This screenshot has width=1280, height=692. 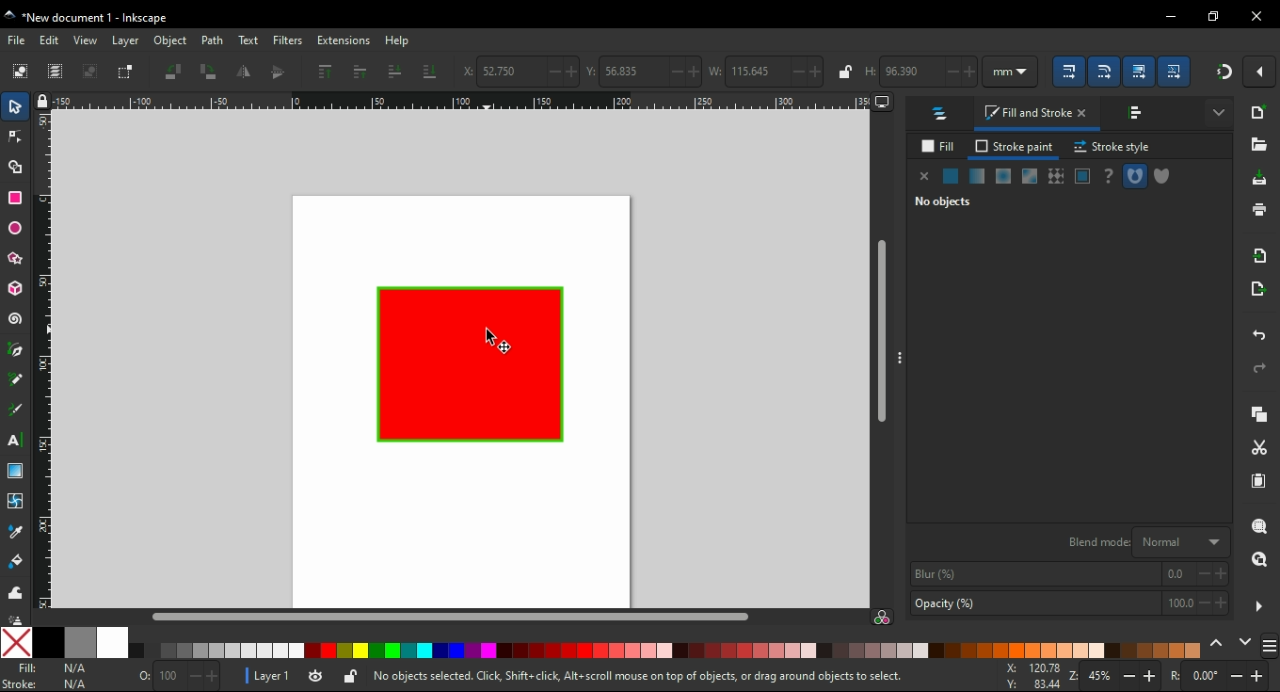 I want to click on 0, so click(x=144, y=673).